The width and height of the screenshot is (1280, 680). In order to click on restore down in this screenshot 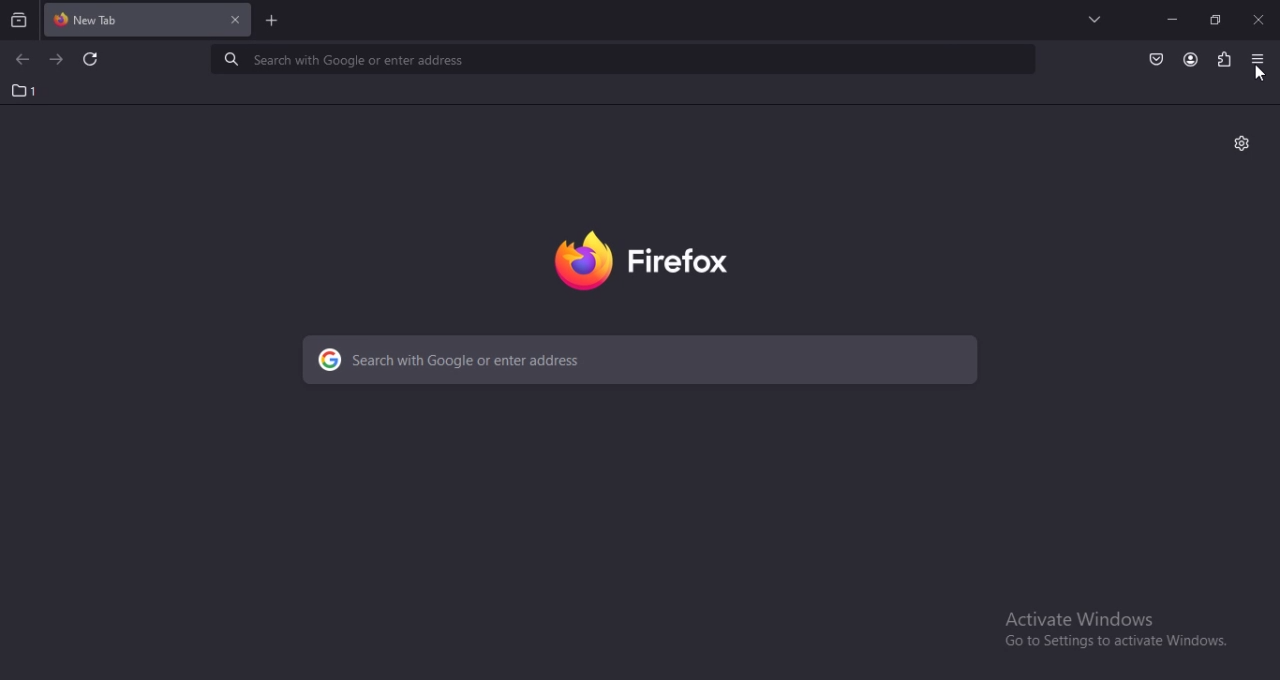, I will do `click(1214, 20)`.